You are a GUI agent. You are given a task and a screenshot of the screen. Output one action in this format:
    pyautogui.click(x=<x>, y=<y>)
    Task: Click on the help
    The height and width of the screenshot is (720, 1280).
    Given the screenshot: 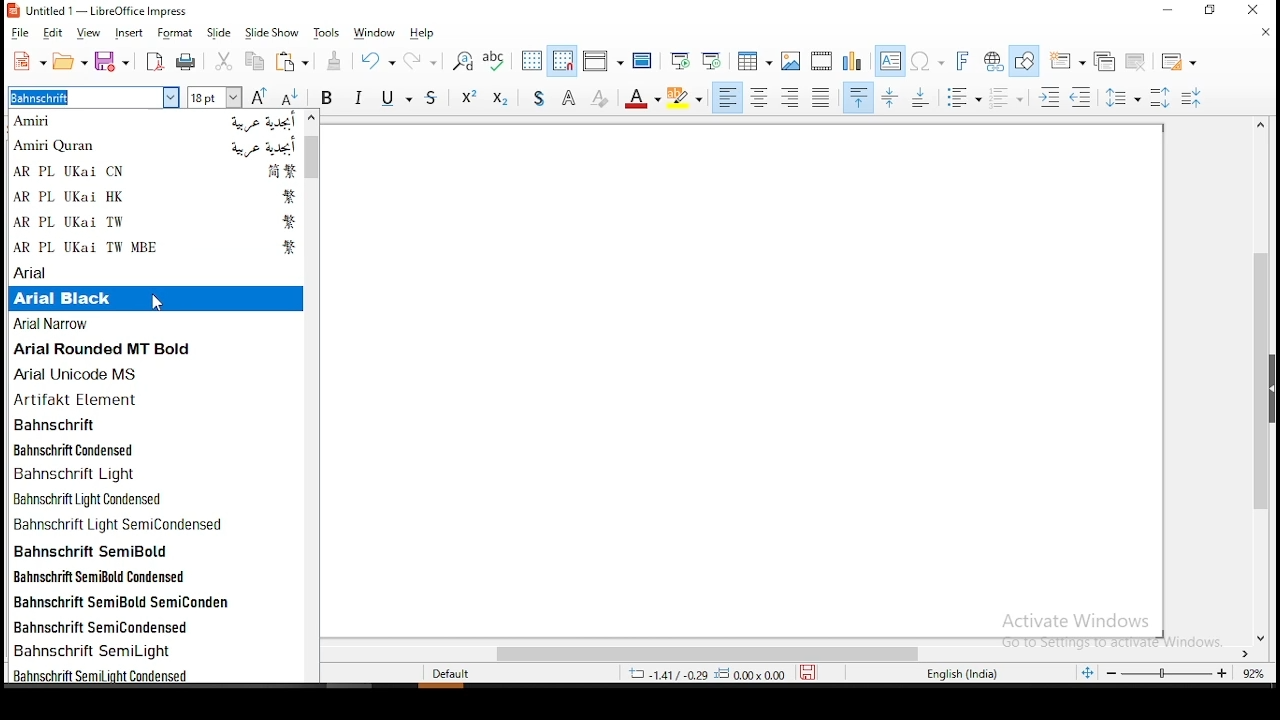 What is the action you would take?
    pyautogui.click(x=423, y=34)
    